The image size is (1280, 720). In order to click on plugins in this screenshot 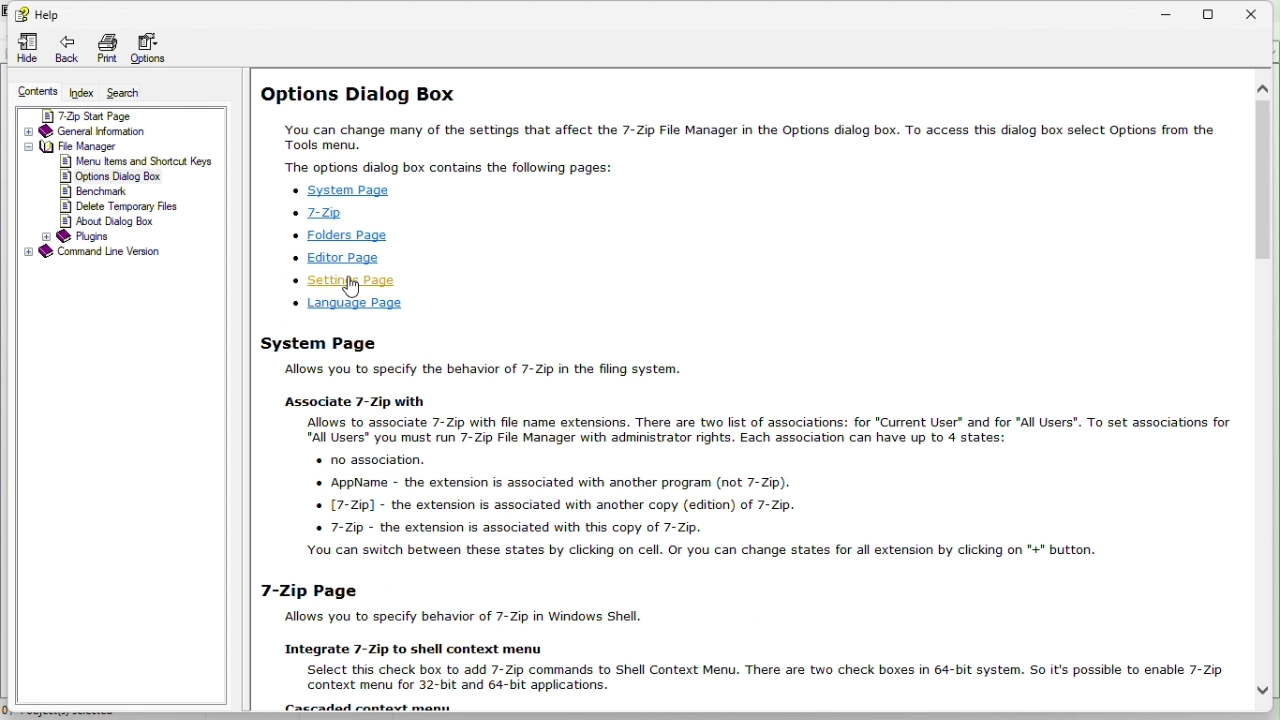, I will do `click(91, 236)`.